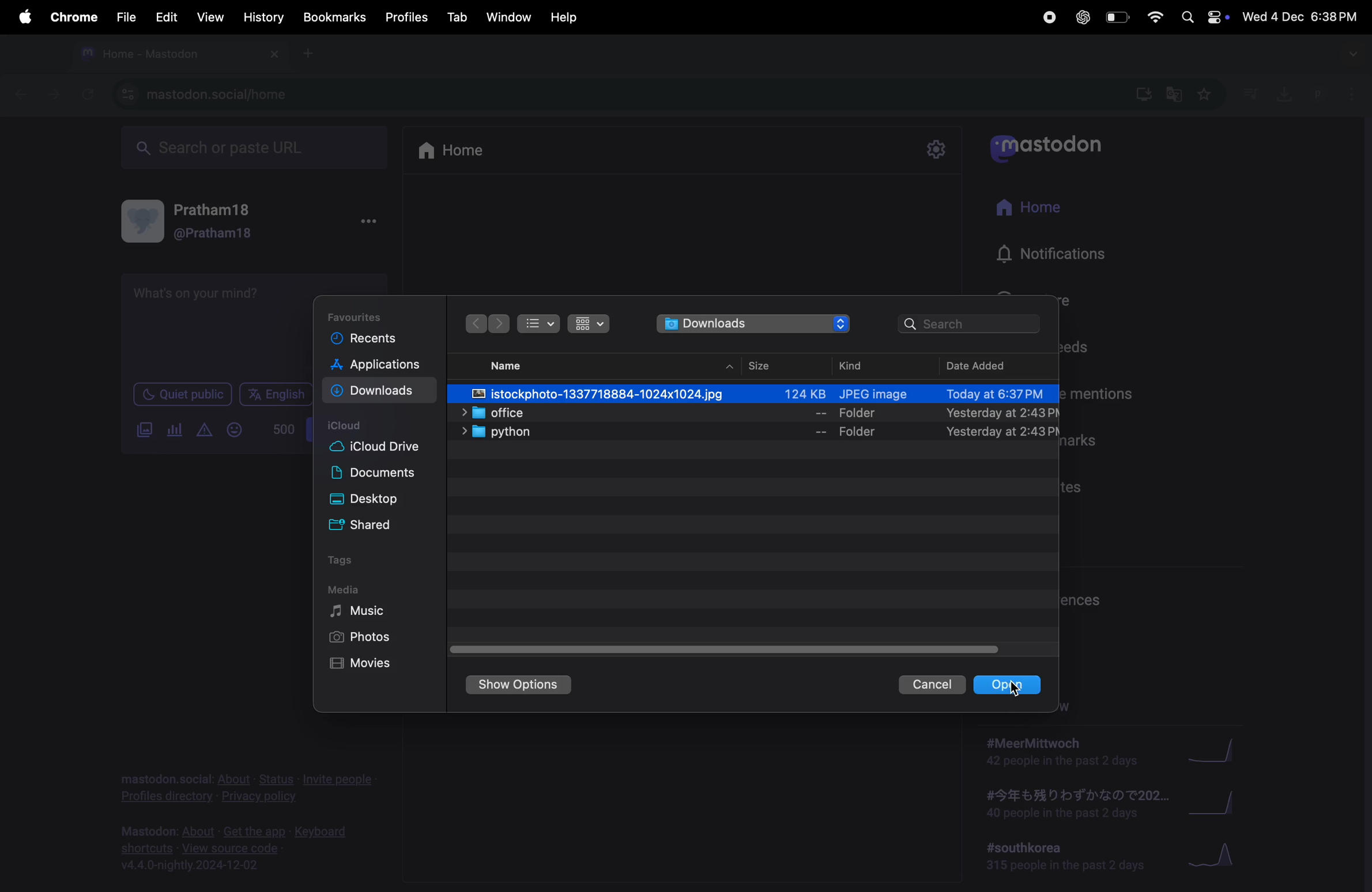 The width and height of the screenshot is (1372, 892). Describe the element at coordinates (1354, 54) in the screenshot. I see `drop down menu` at that location.